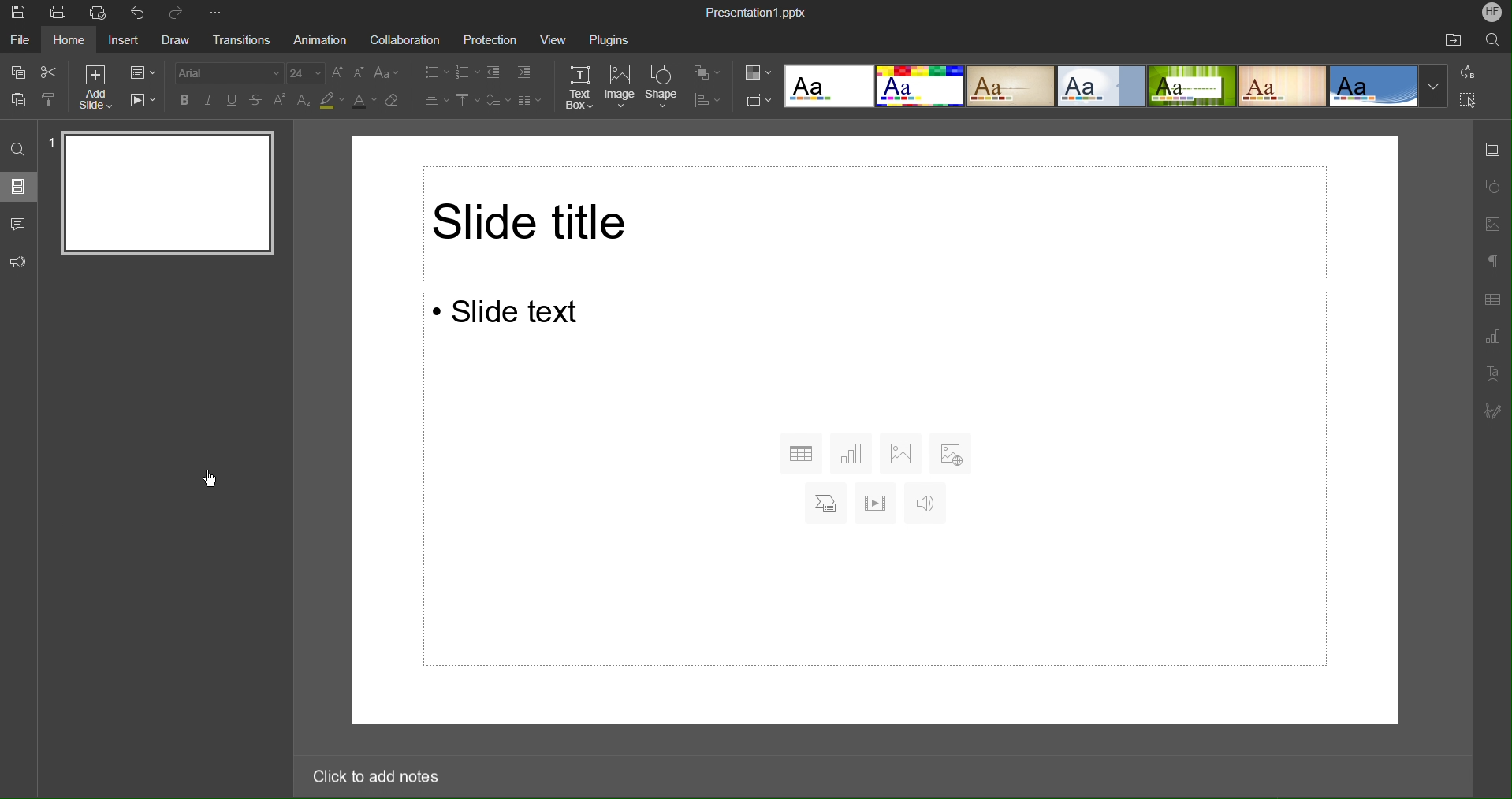  What do you see at coordinates (207, 98) in the screenshot?
I see `italics` at bounding box center [207, 98].